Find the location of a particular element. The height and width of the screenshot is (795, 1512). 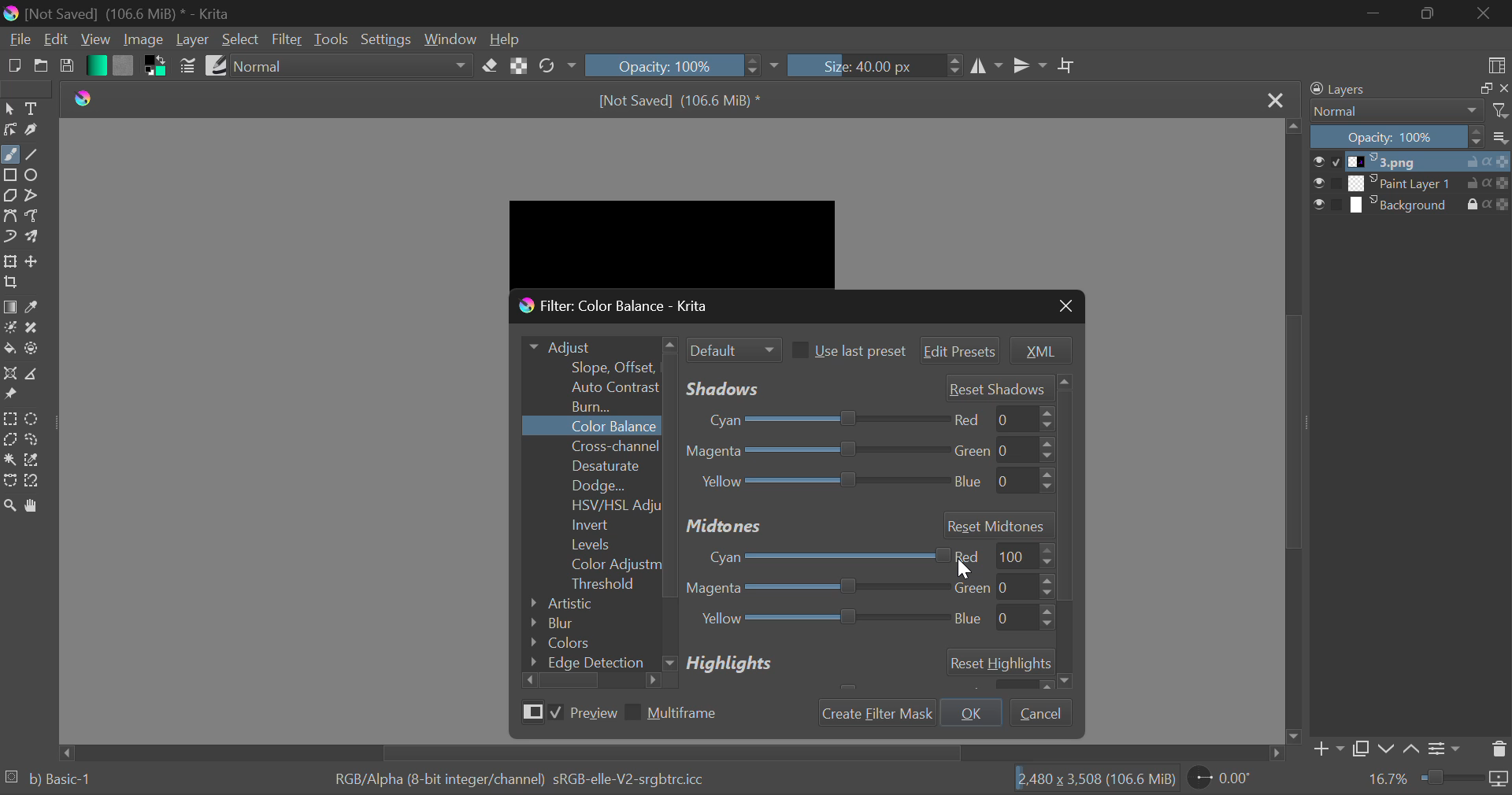

Rectangle is located at coordinates (13, 176).